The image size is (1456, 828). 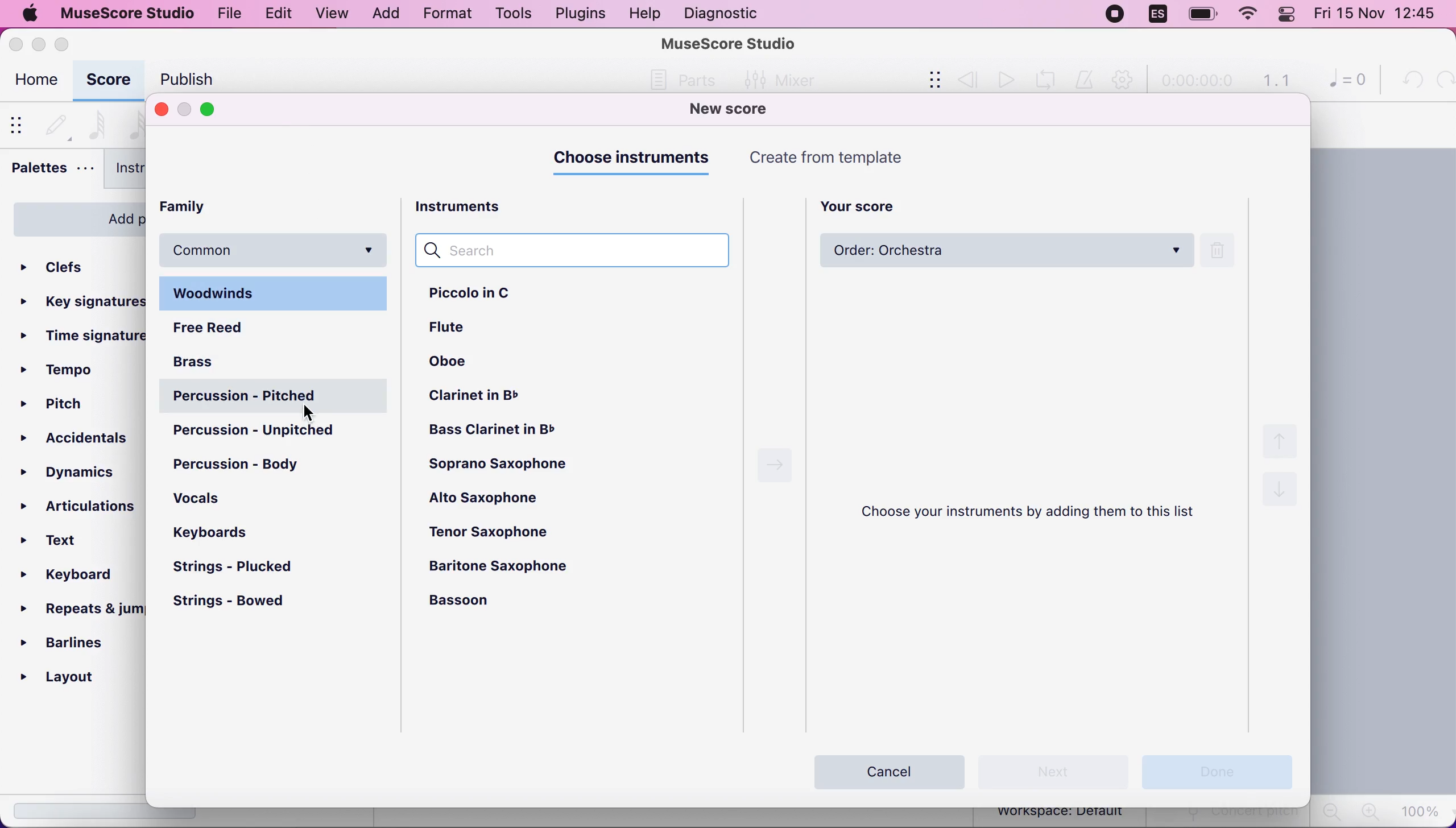 I want to click on ime signatures, so click(x=84, y=337).